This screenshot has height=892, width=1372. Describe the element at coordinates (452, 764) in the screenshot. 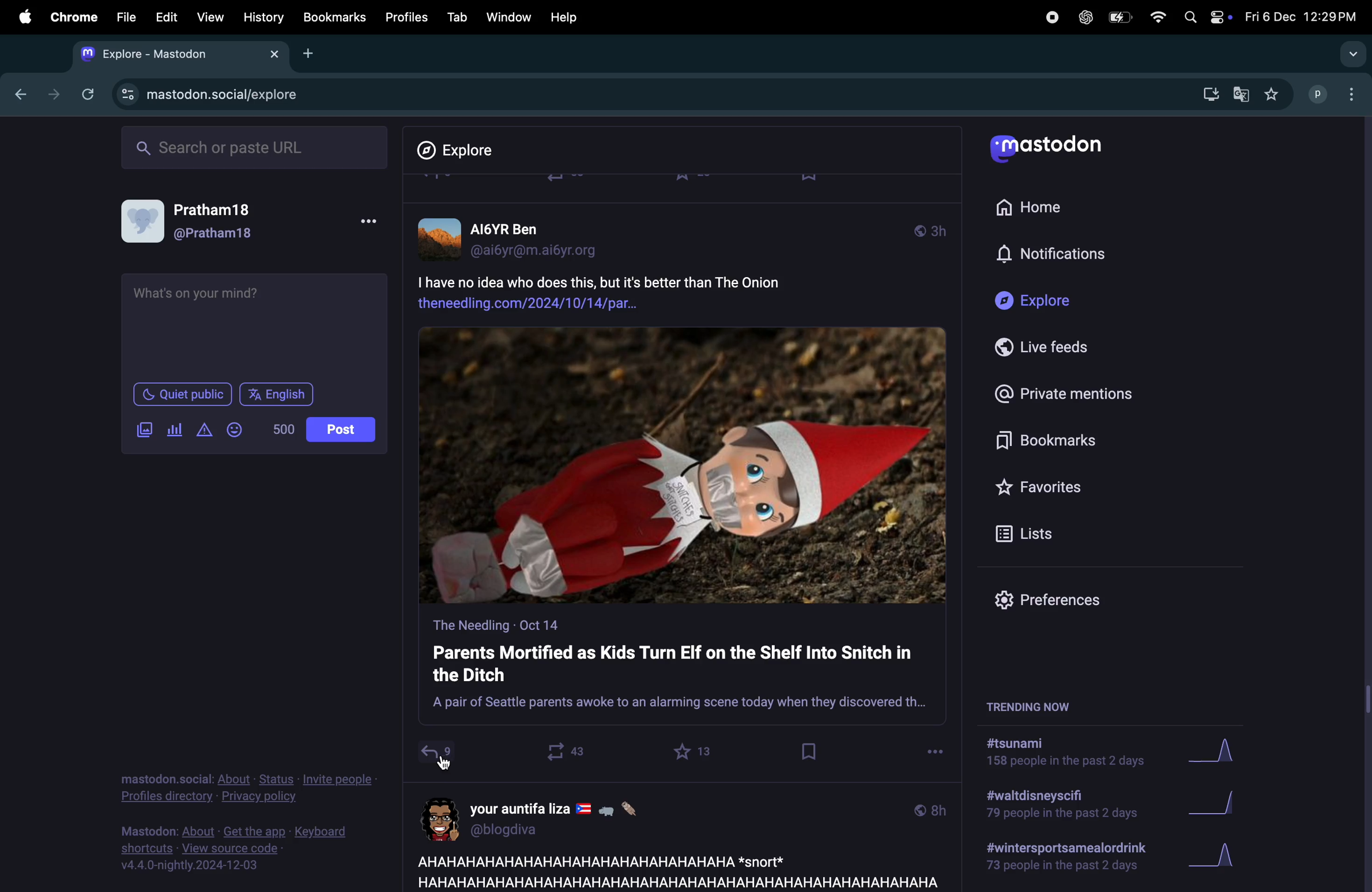

I see `cursor` at that location.